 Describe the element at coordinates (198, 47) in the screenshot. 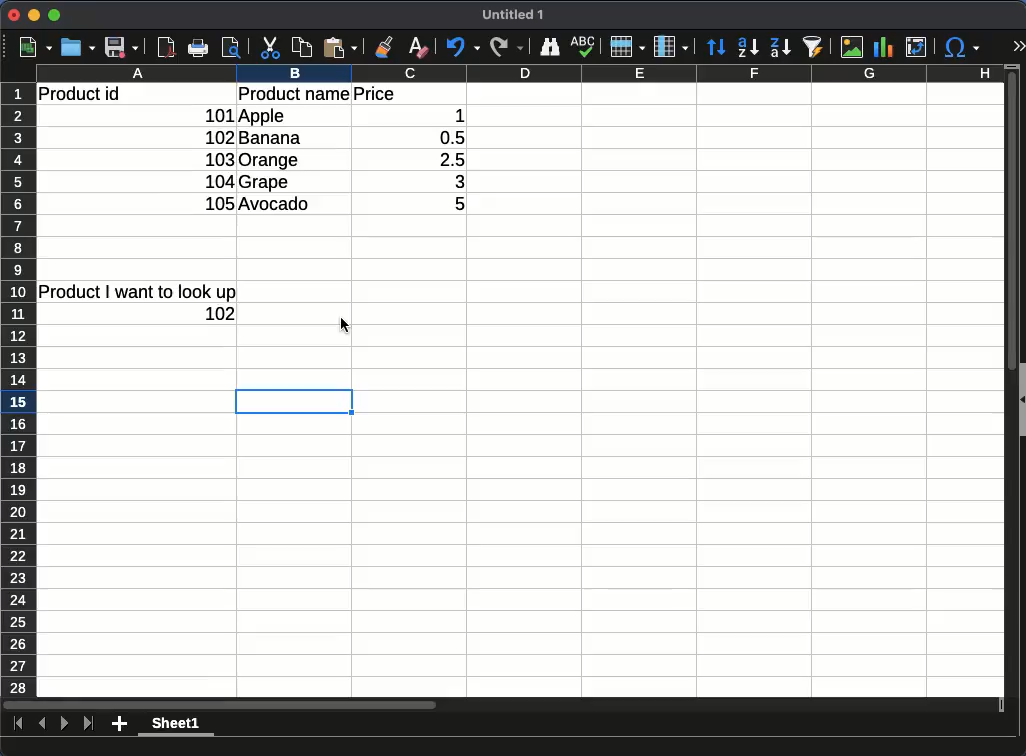

I see `print` at that location.